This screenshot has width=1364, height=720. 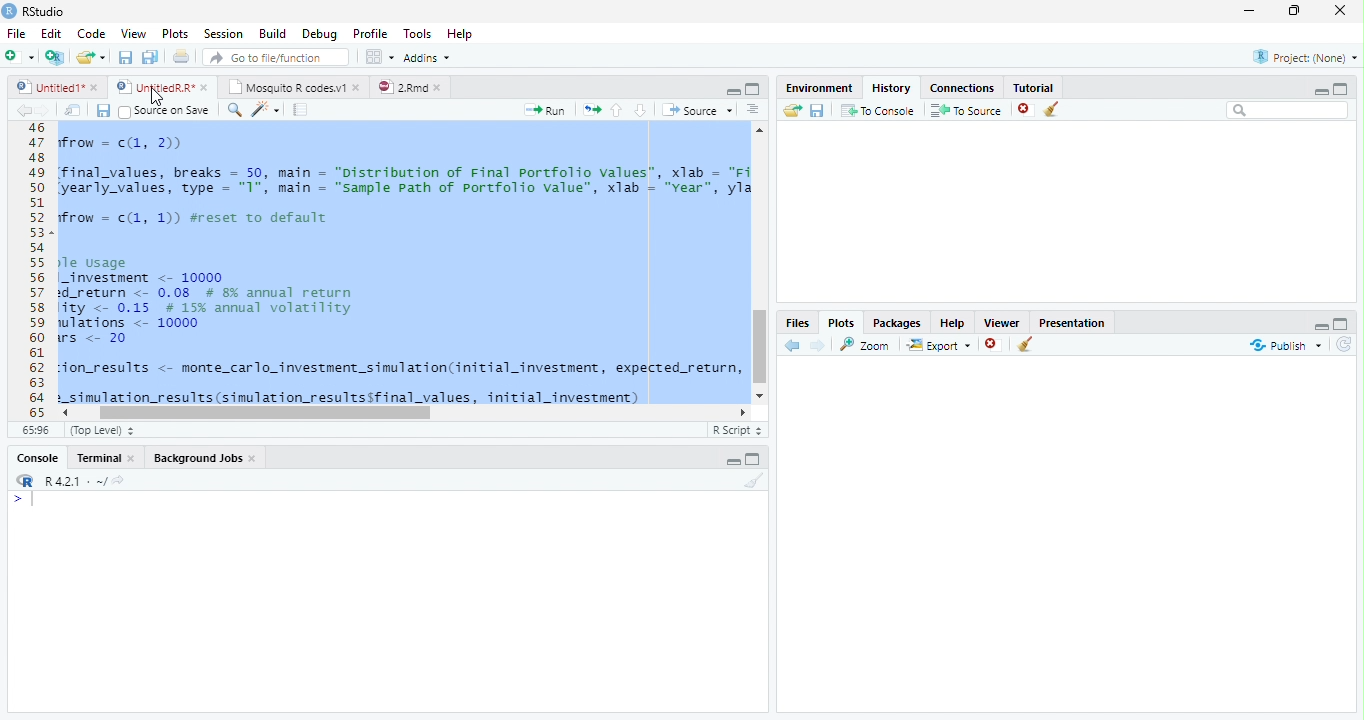 What do you see at coordinates (44, 110) in the screenshot?
I see `next source location` at bounding box center [44, 110].